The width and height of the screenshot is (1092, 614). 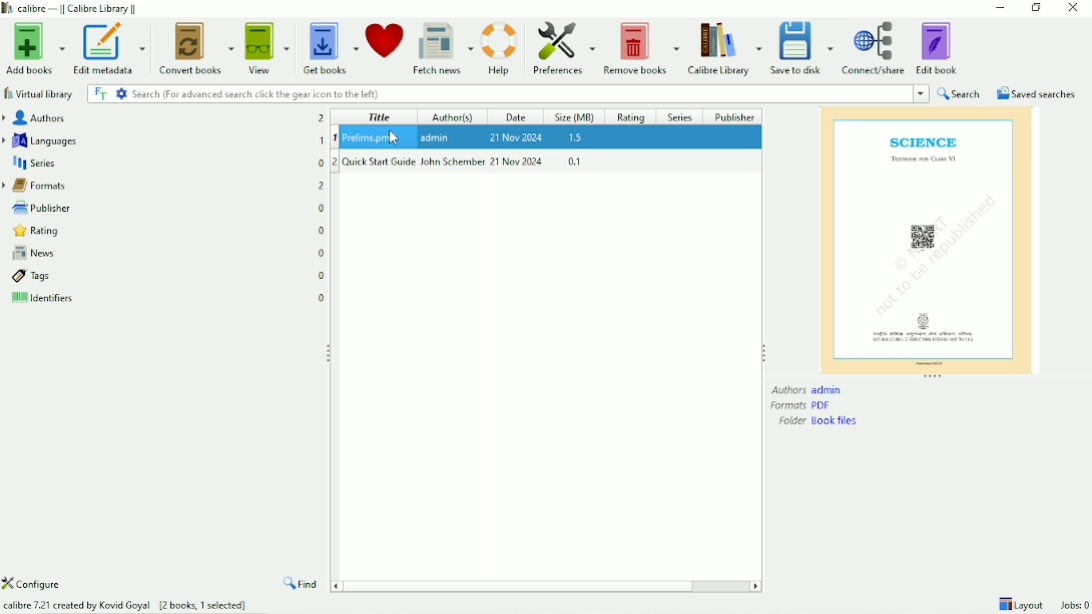 What do you see at coordinates (561, 49) in the screenshot?
I see `Preferences` at bounding box center [561, 49].